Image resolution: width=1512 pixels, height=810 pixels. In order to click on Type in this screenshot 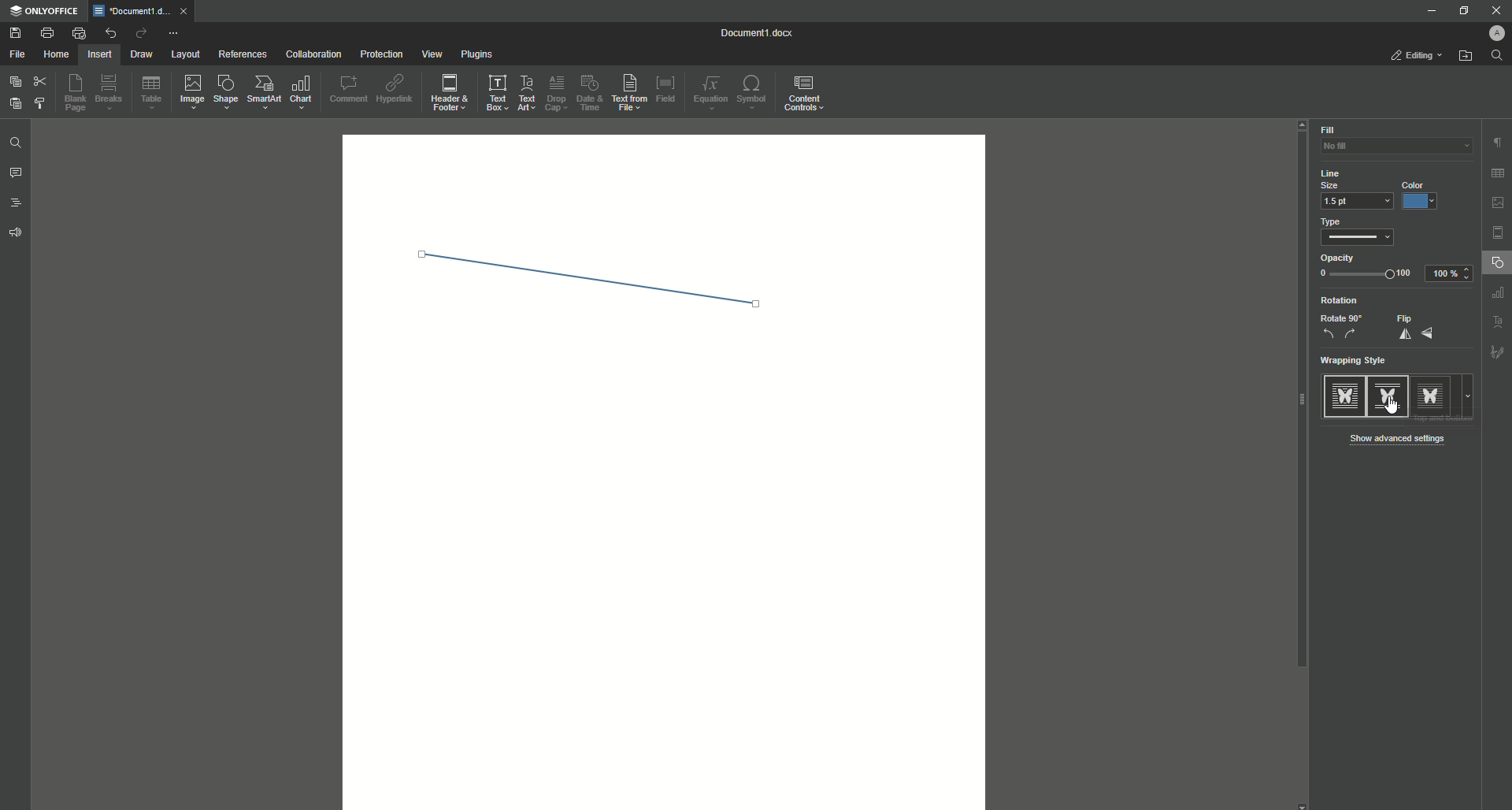, I will do `click(1357, 232)`.